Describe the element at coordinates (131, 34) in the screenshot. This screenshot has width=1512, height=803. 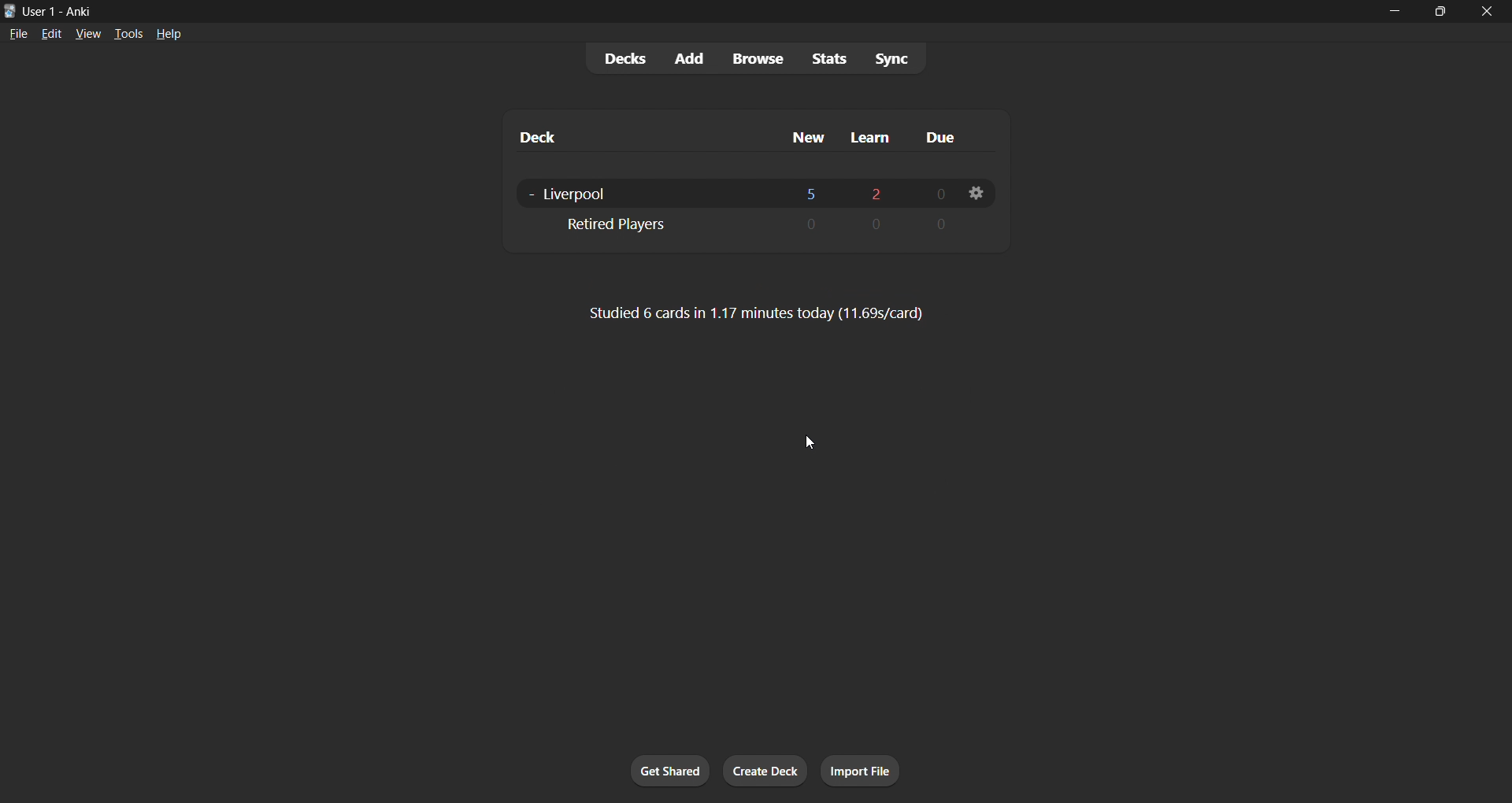
I see `tools` at that location.